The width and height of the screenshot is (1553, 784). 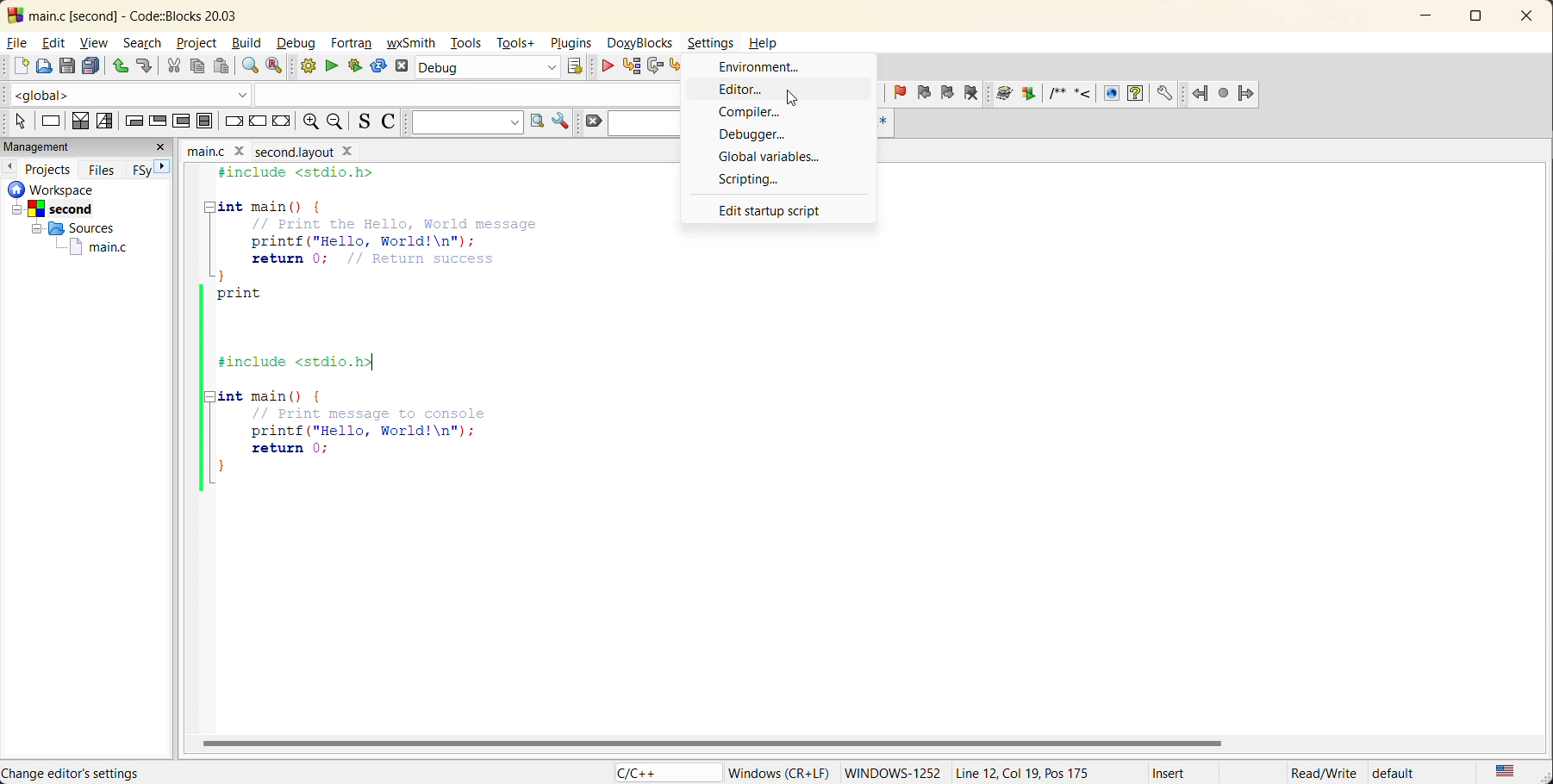 I want to click on jump back, so click(x=802, y=98).